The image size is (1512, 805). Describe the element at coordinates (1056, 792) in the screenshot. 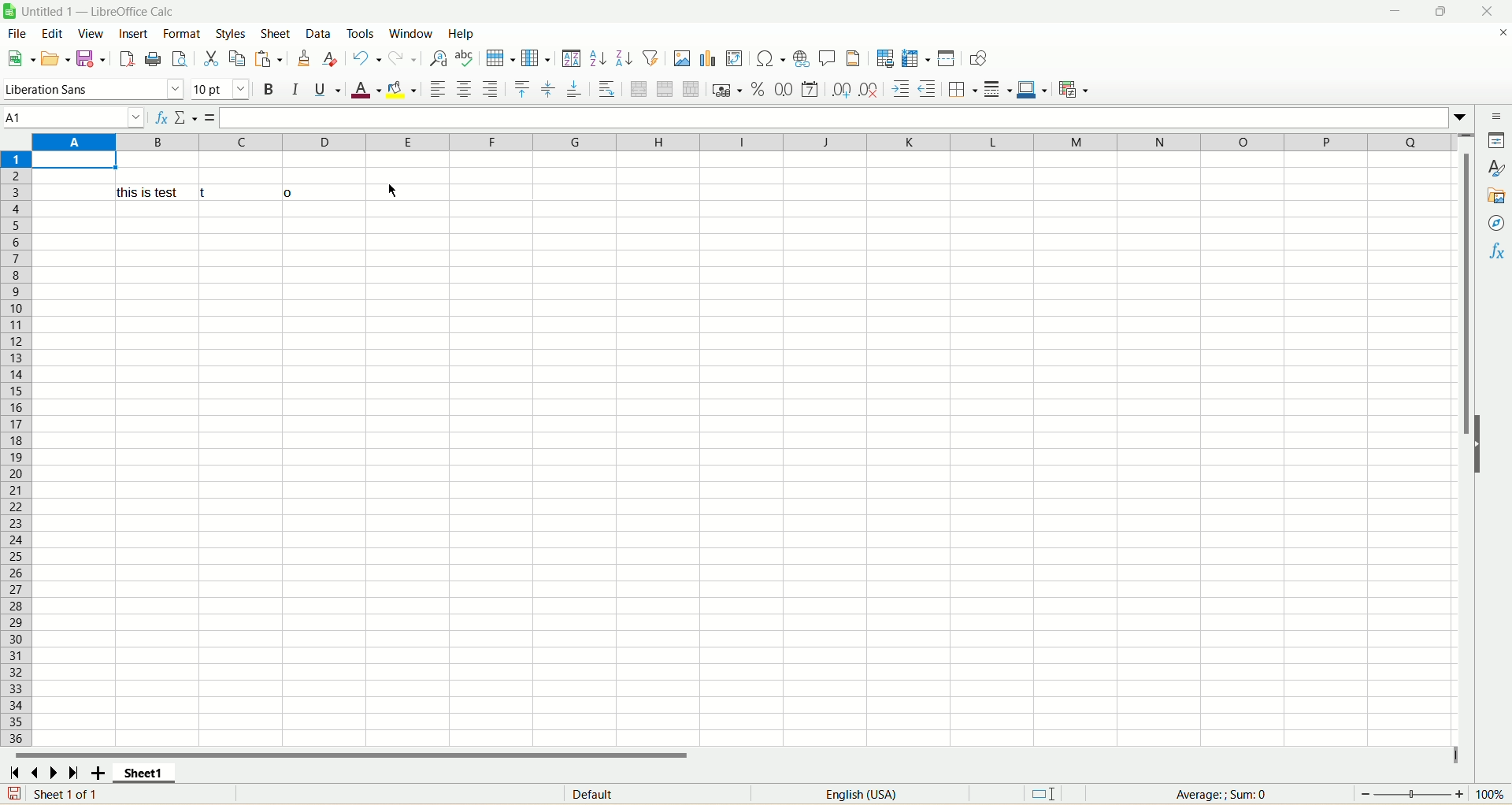

I see `standard selection` at that location.